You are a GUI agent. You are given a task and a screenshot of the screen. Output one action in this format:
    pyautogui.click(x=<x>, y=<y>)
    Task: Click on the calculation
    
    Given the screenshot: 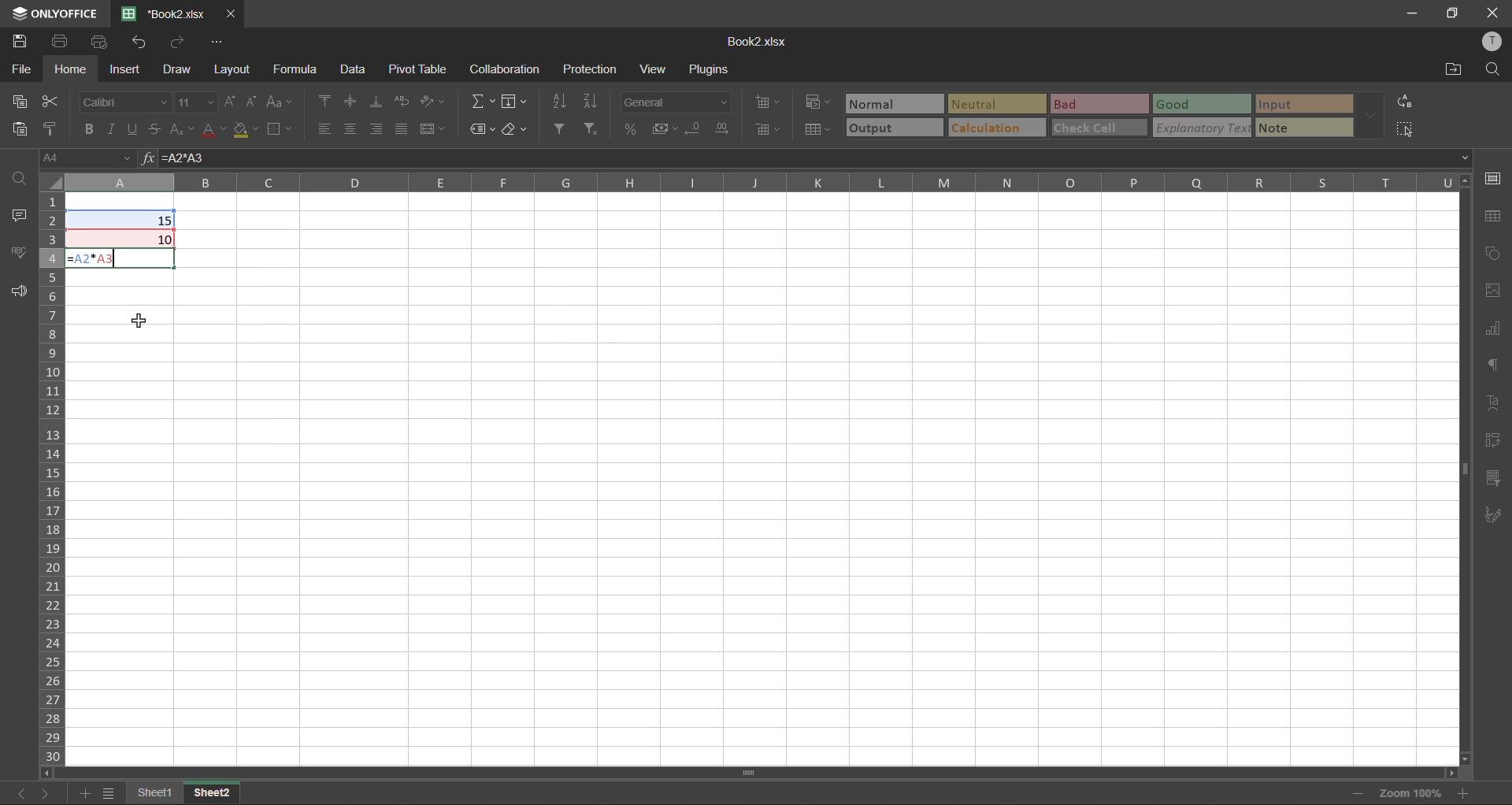 What is the action you would take?
    pyautogui.click(x=995, y=127)
    